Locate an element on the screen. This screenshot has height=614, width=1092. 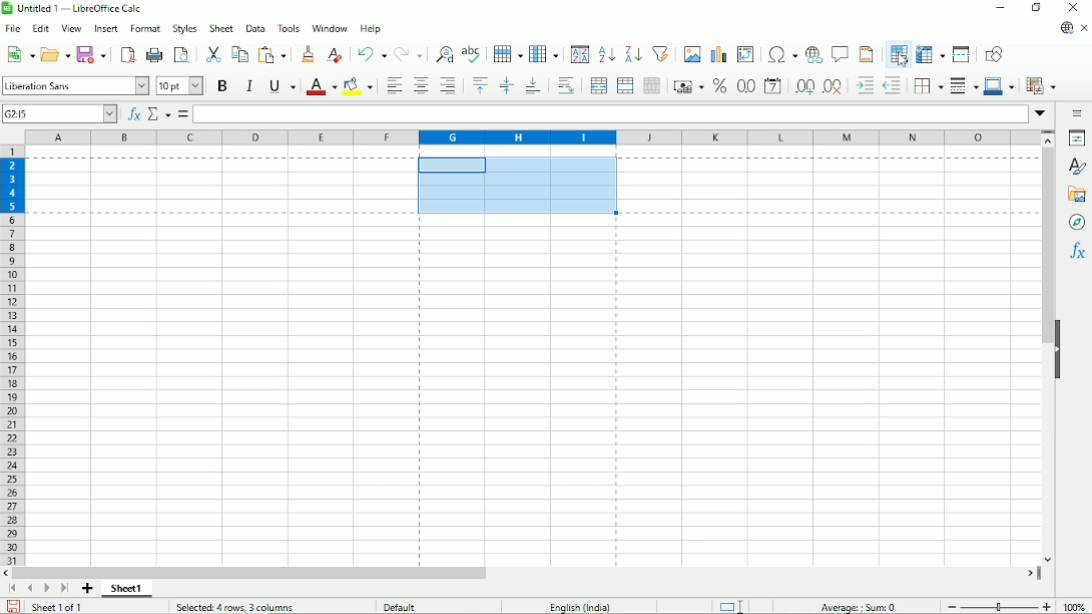
Align bottom is located at coordinates (533, 86).